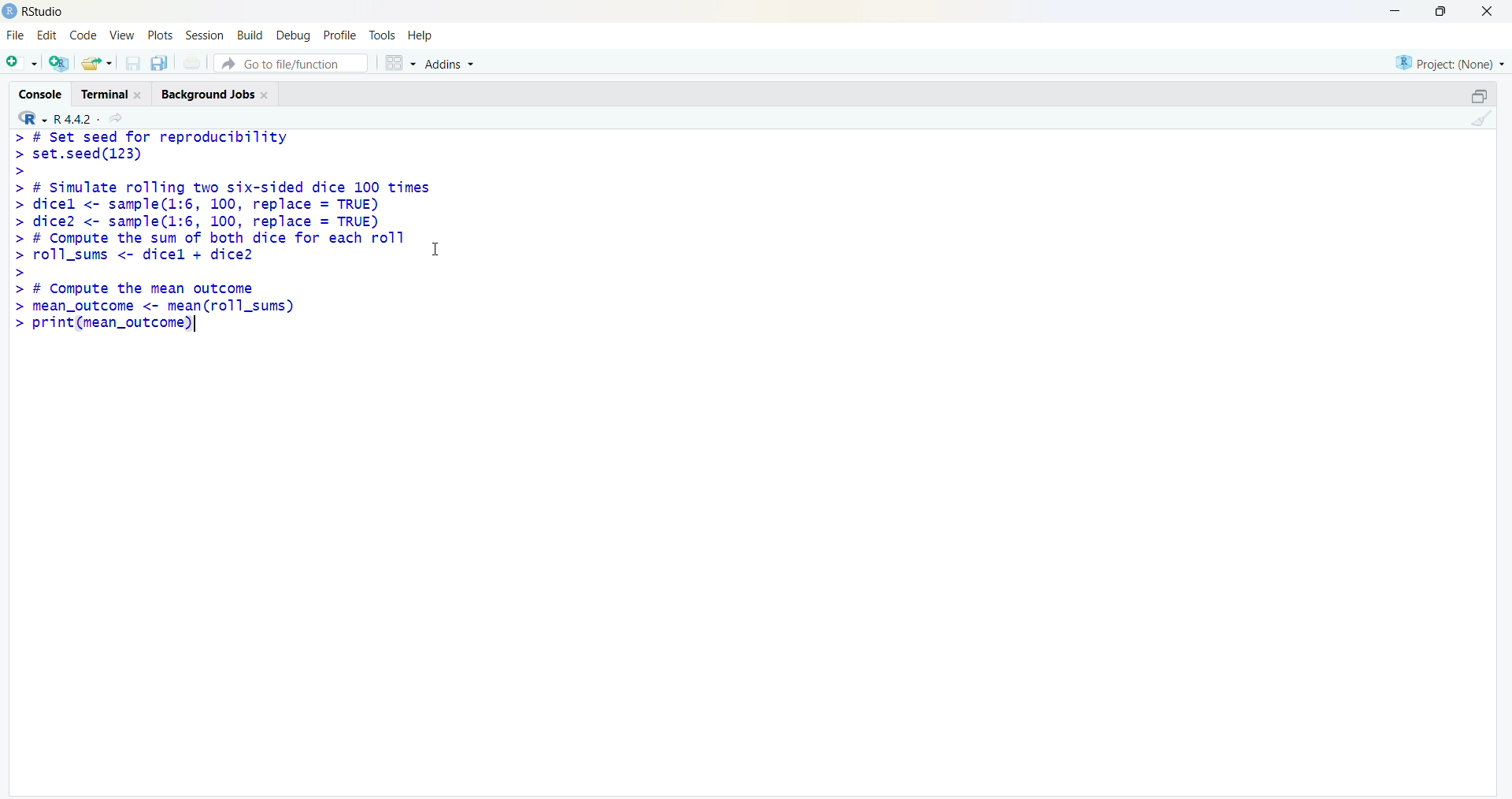  I want to click on code, so click(83, 35).